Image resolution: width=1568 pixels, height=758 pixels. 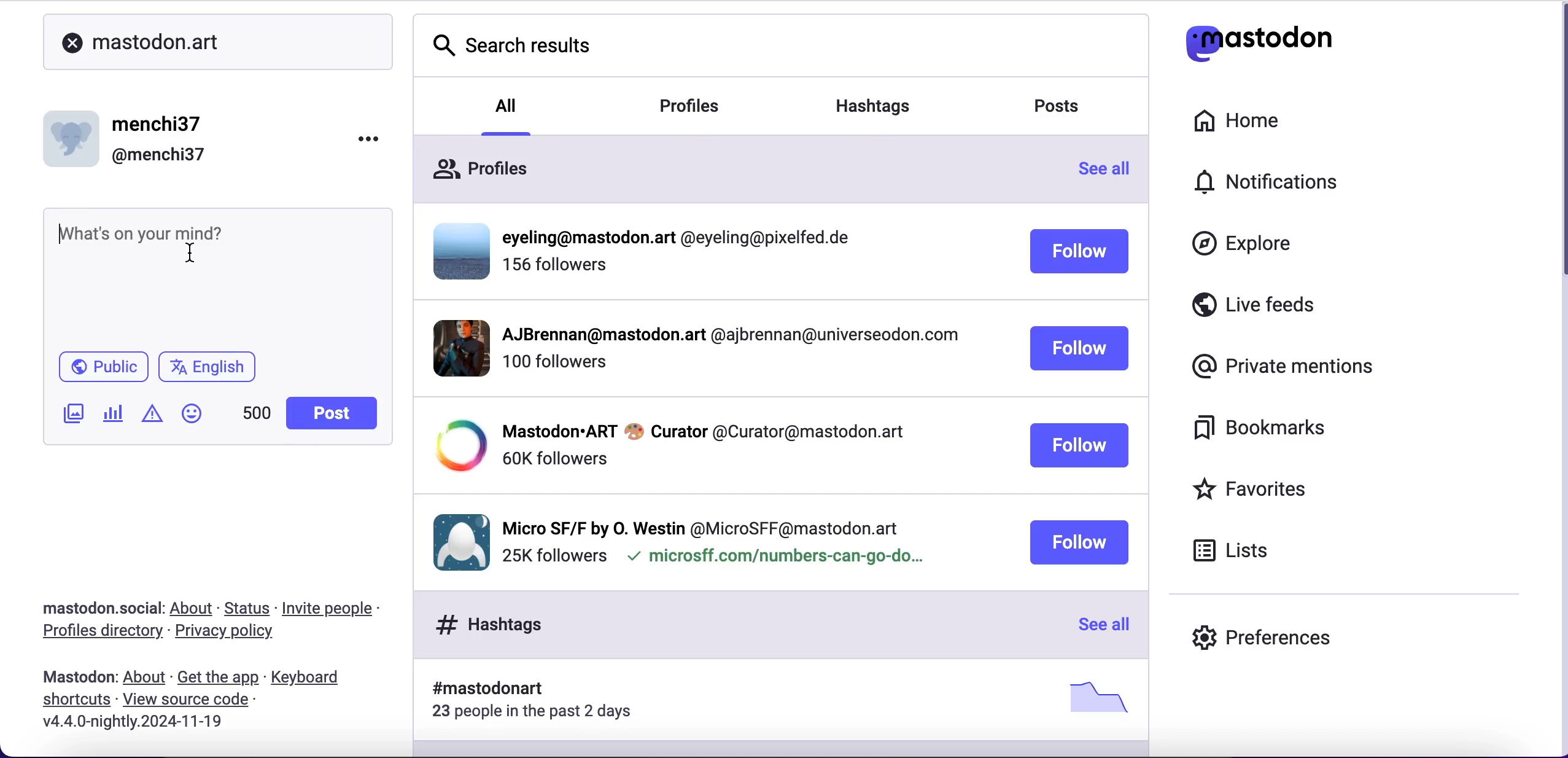 What do you see at coordinates (101, 635) in the screenshot?
I see `profiles directory` at bounding box center [101, 635].